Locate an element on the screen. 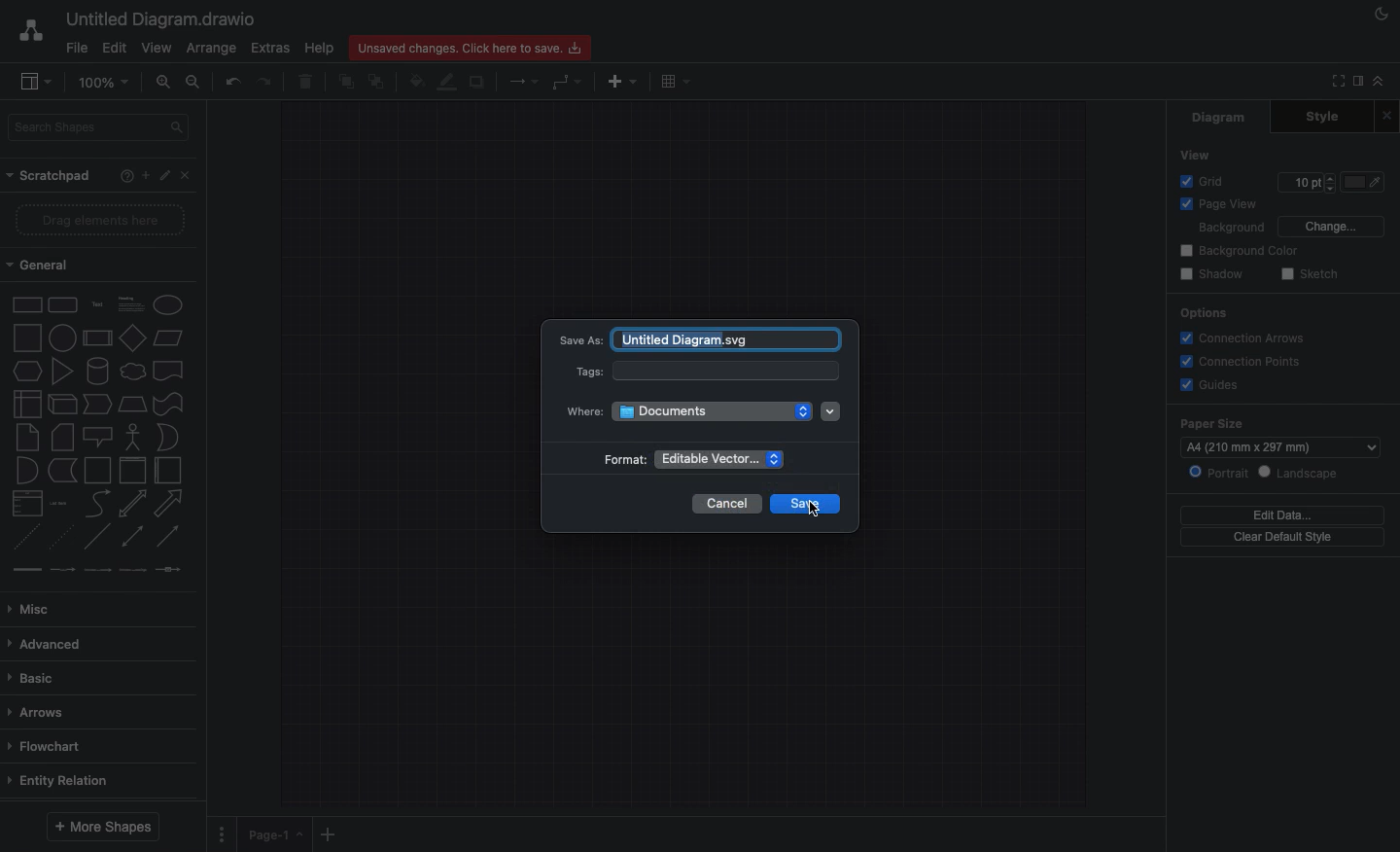  To back is located at coordinates (379, 84).